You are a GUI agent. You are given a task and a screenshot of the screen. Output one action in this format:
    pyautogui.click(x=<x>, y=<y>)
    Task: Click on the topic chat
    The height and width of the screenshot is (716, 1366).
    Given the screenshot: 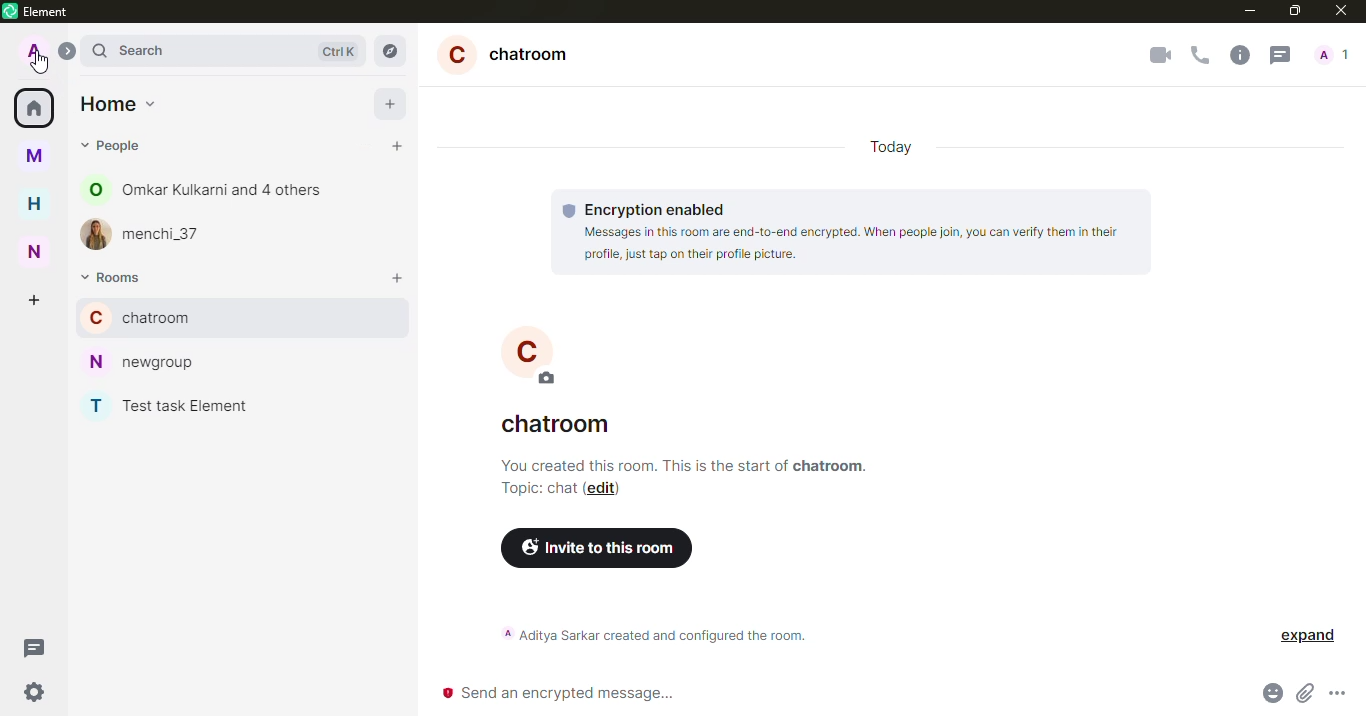 What is the action you would take?
    pyautogui.click(x=536, y=488)
    